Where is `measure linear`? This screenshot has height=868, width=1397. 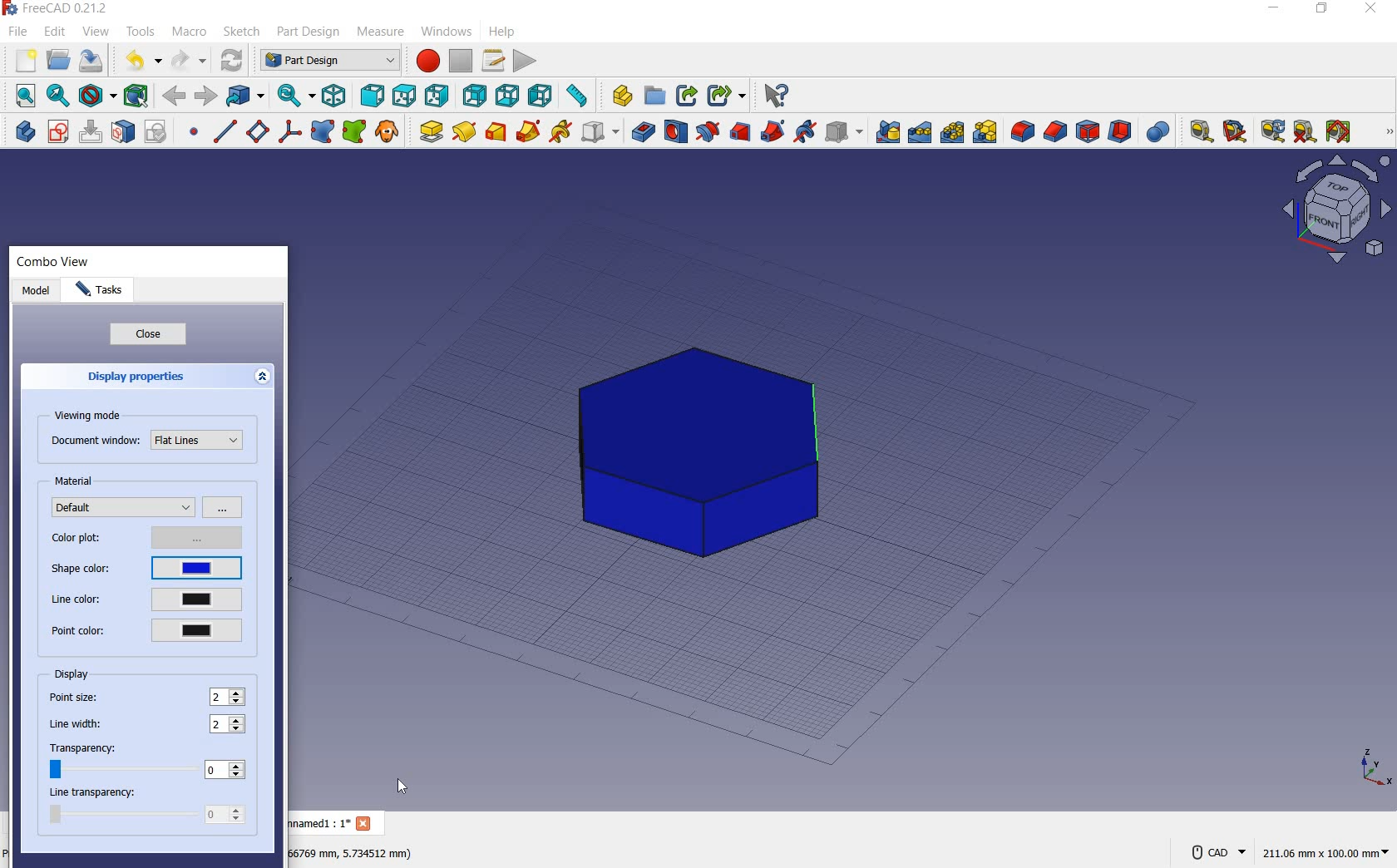
measure linear is located at coordinates (1197, 133).